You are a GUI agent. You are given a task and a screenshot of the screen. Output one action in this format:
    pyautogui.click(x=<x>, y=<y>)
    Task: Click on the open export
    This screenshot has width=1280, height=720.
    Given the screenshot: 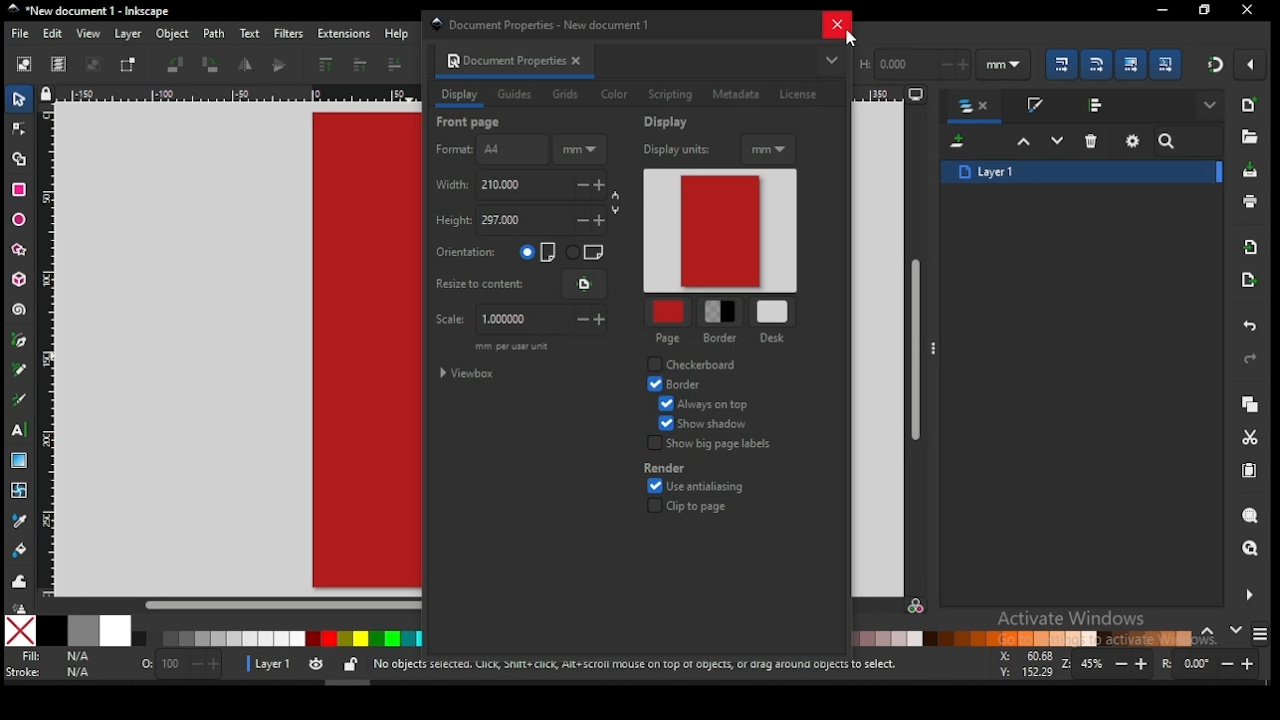 What is the action you would take?
    pyautogui.click(x=1248, y=279)
    